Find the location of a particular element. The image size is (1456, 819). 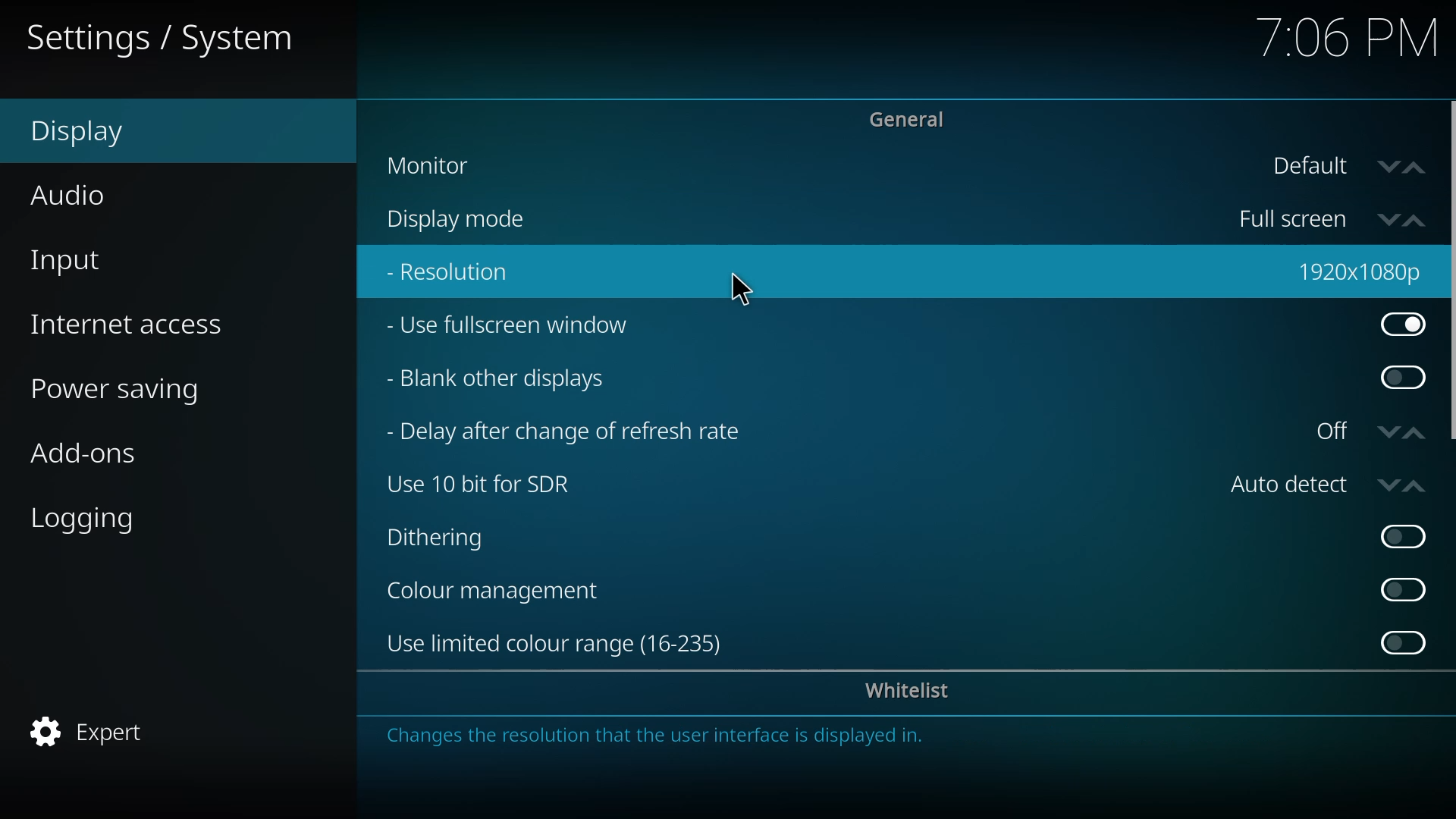

general is located at coordinates (913, 118).